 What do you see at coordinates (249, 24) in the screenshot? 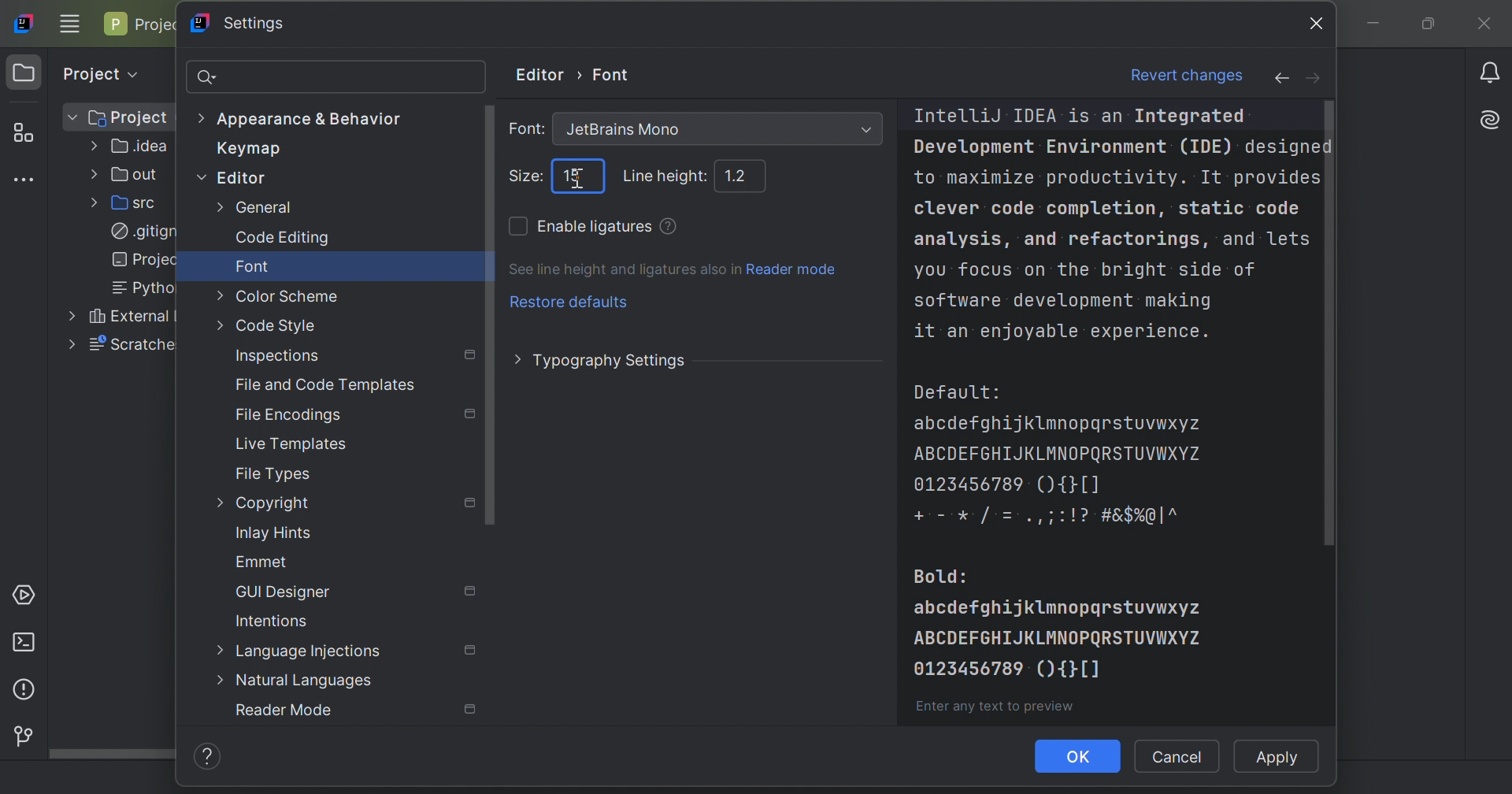
I see `Settings` at bounding box center [249, 24].